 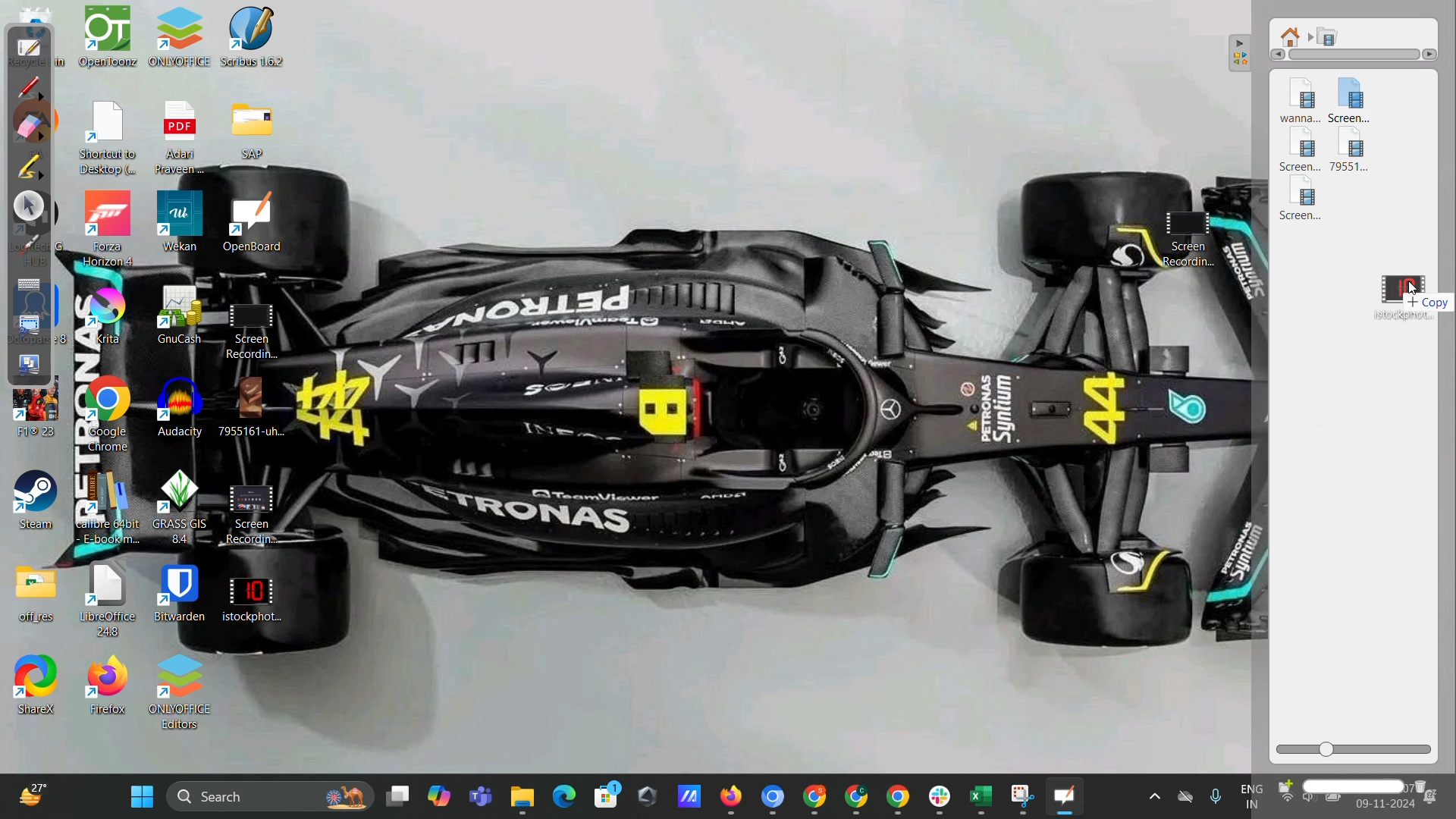 What do you see at coordinates (1214, 795) in the screenshot?
I see `Microphome` at bounding box center [1214, 795].